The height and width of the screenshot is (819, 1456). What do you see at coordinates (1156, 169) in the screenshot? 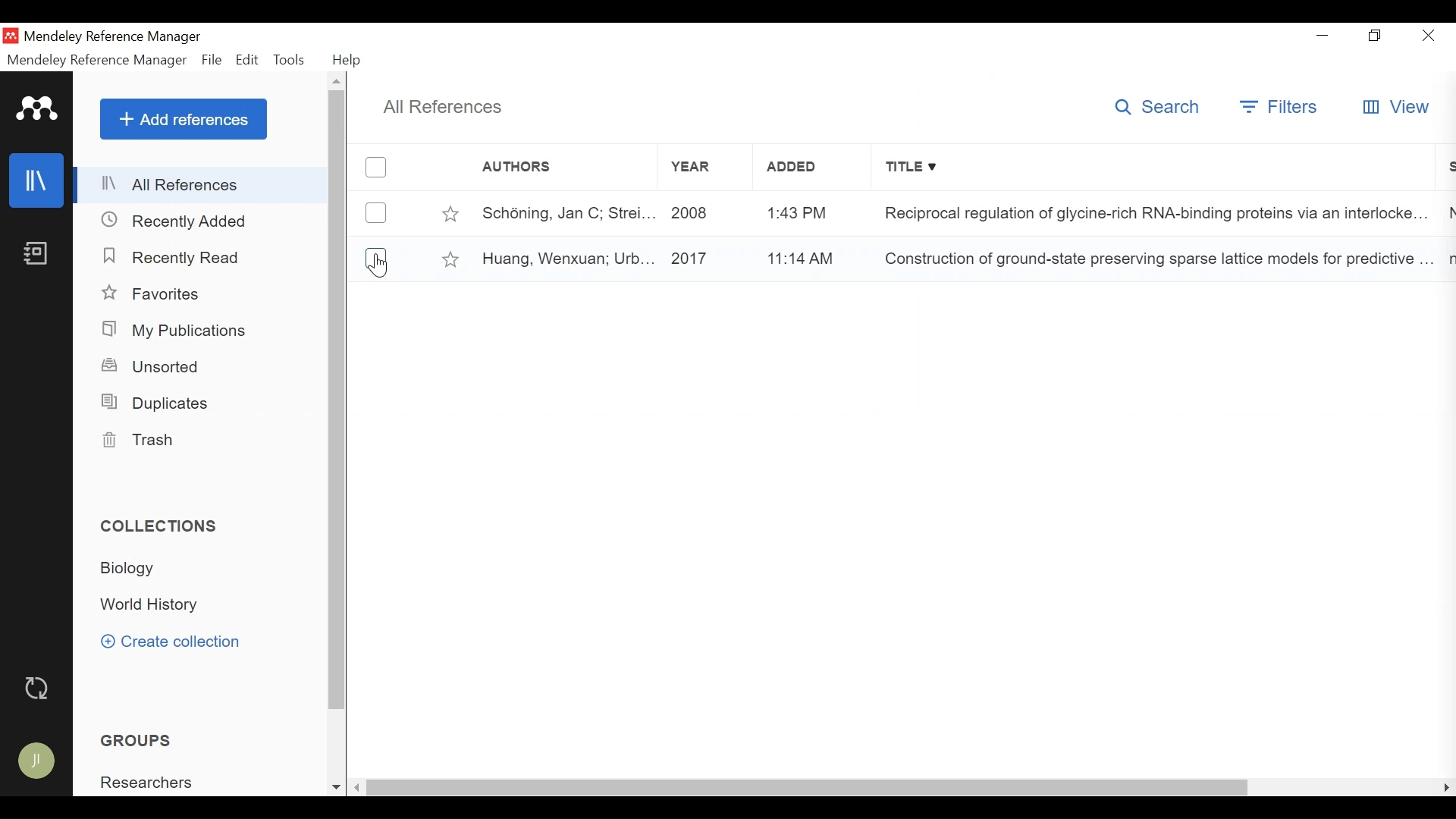
I see `Title` at bounding box center [1156, 169].